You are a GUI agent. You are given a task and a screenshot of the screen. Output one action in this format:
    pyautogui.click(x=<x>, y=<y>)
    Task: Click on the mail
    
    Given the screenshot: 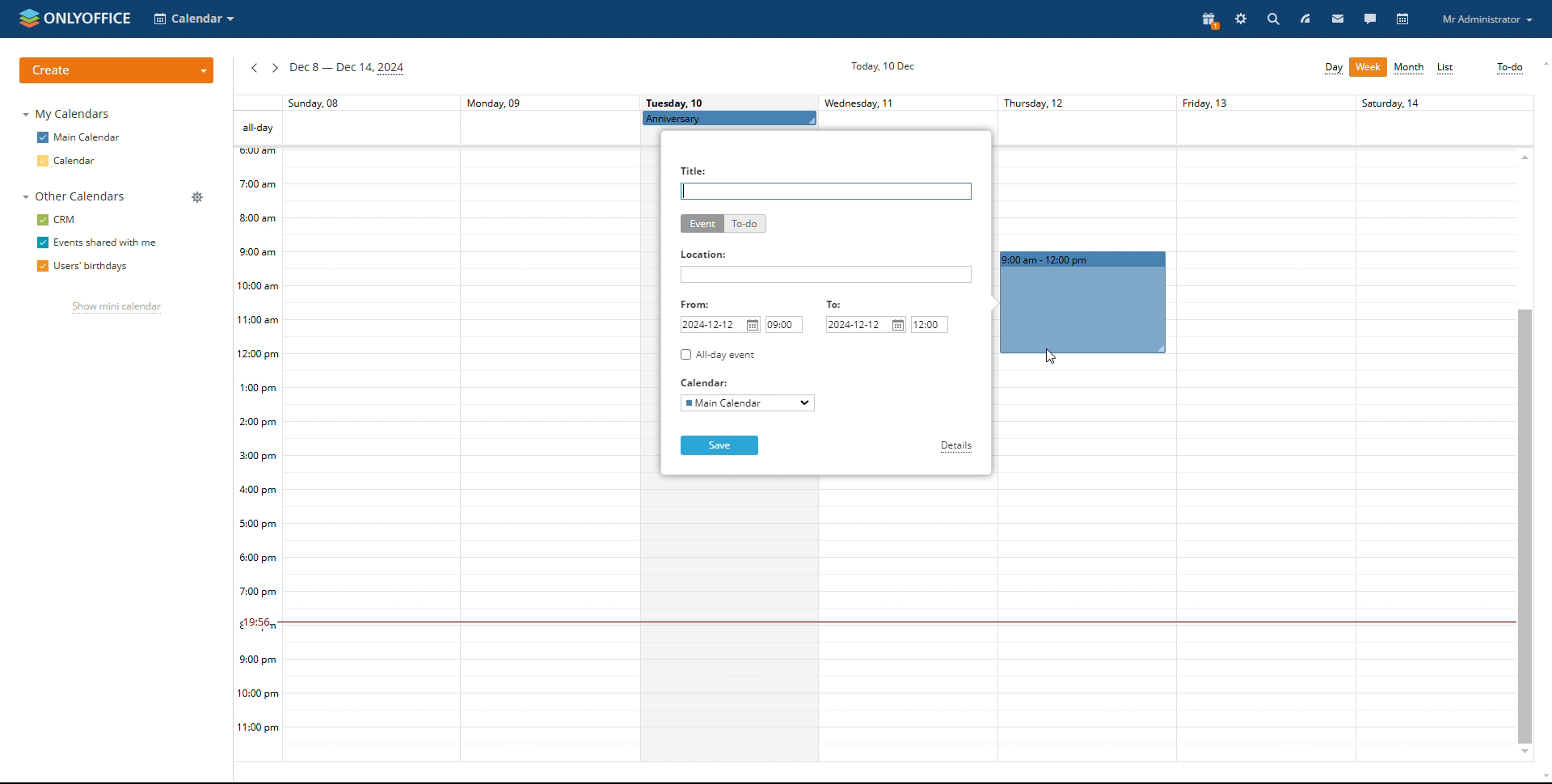 What is the action you would take?
    pyautogui.click(x=1338, y=18)
    